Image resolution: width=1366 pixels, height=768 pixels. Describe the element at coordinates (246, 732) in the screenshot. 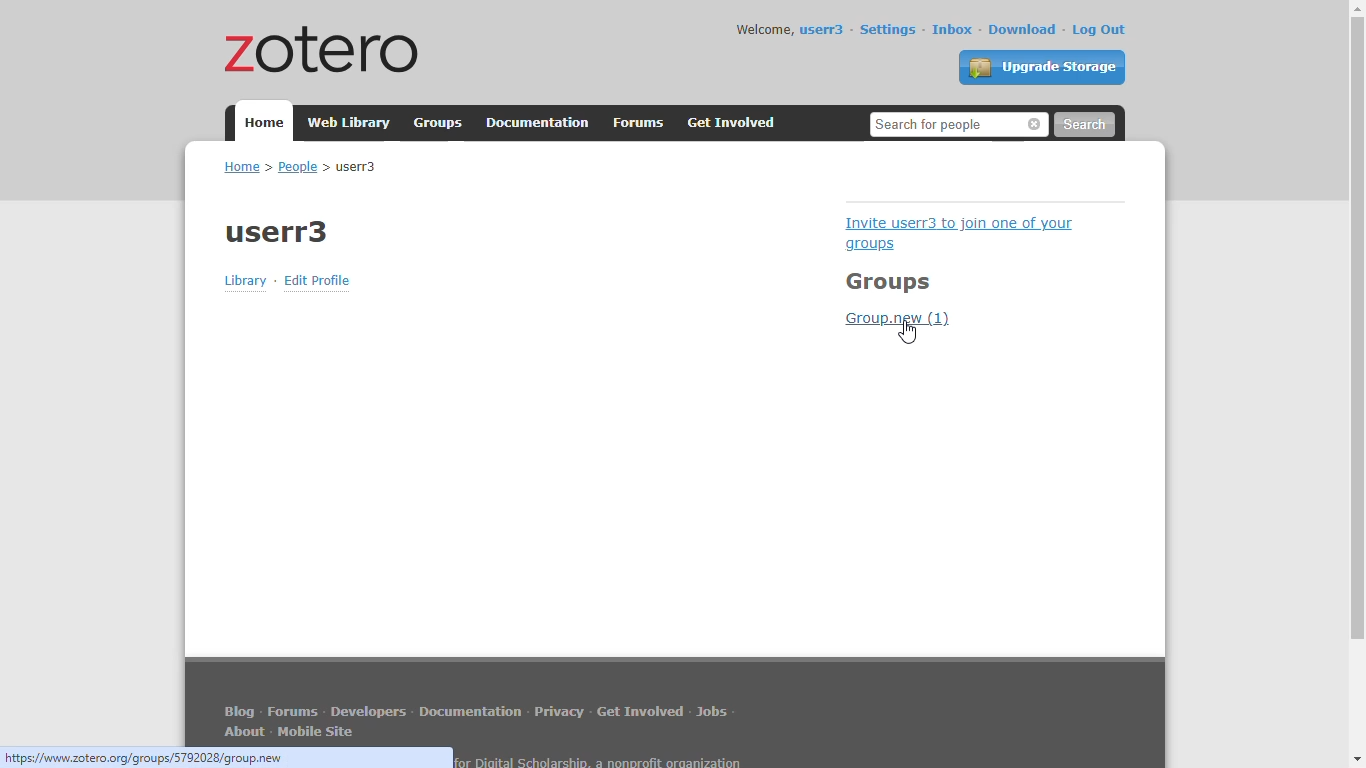

I see `about` at that location.